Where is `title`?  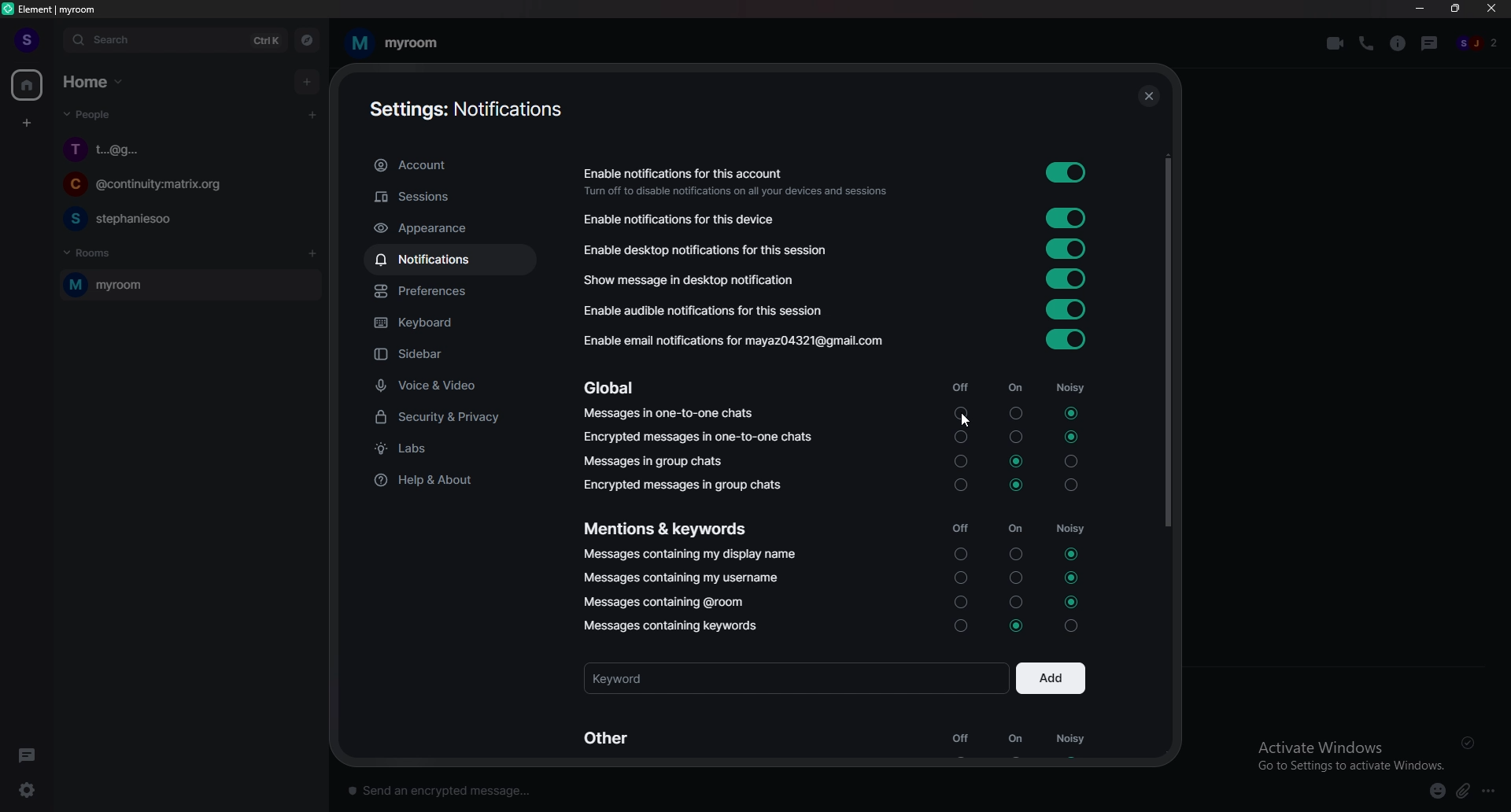 title is located at coordinates (58, 9).